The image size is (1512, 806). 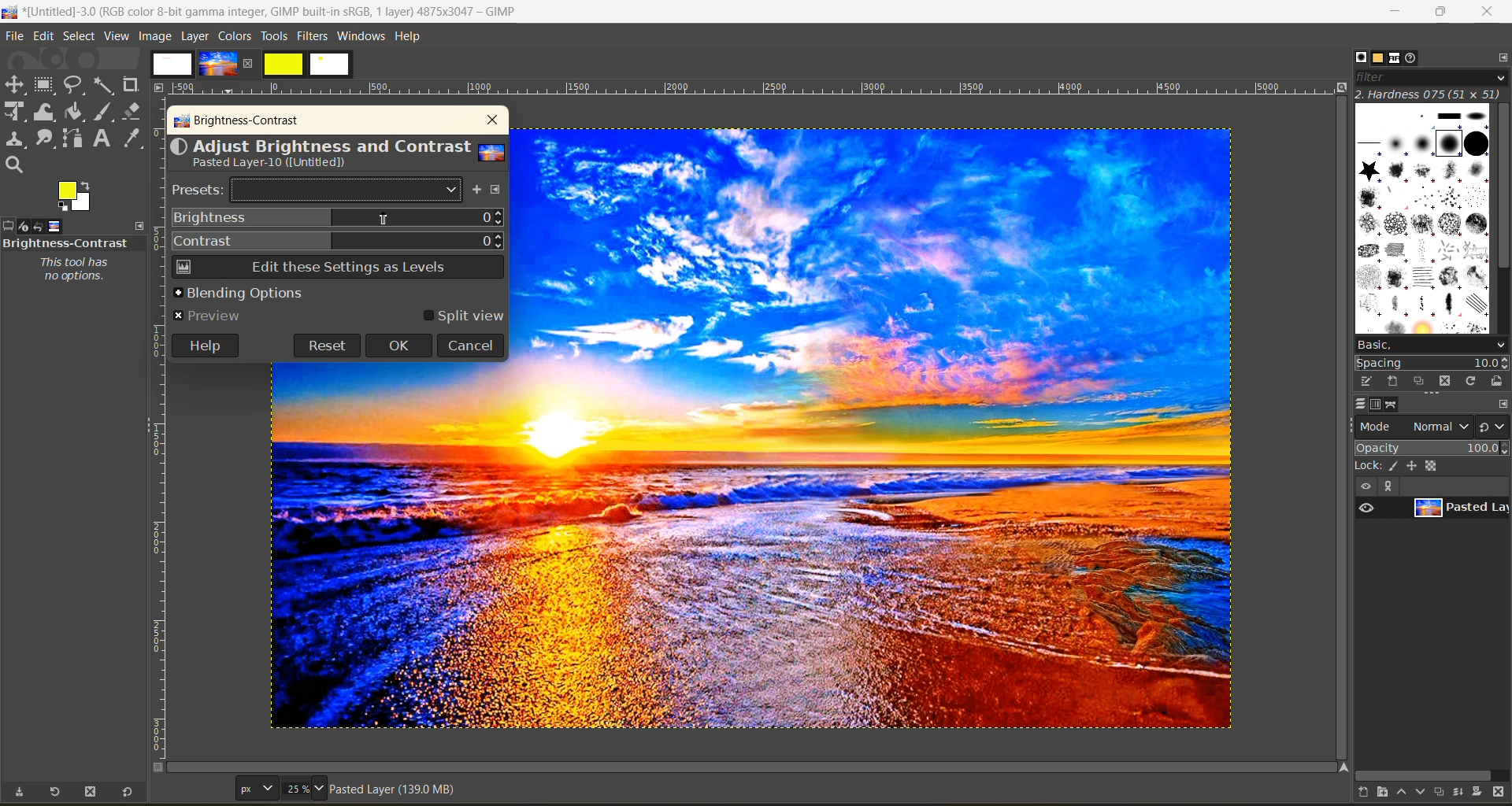 What do you see at coordinates (410, 39) in the screenshot?
I see `help` at bounding box center [410, 39].